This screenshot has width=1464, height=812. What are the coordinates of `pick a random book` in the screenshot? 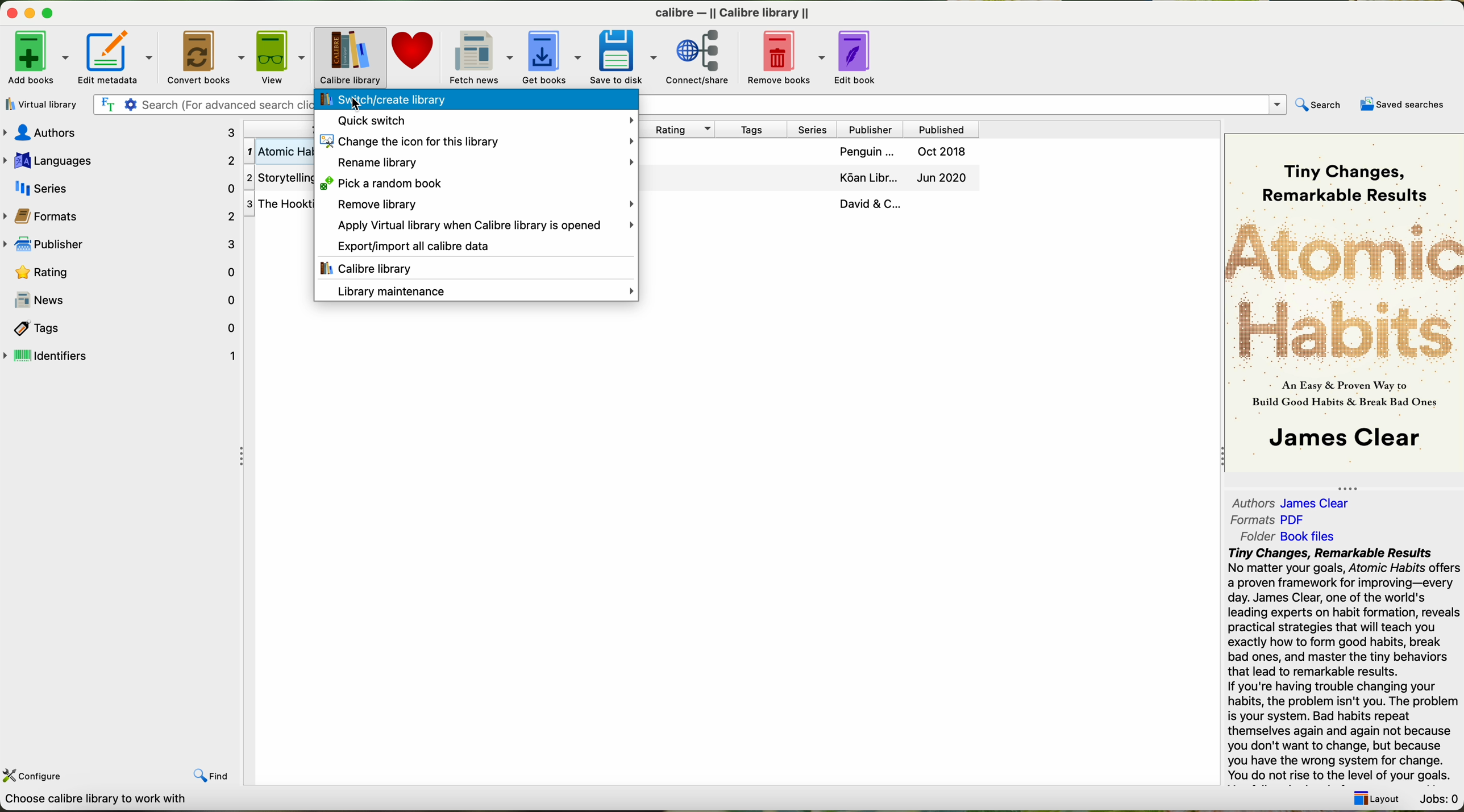 It's located at (388, 184).